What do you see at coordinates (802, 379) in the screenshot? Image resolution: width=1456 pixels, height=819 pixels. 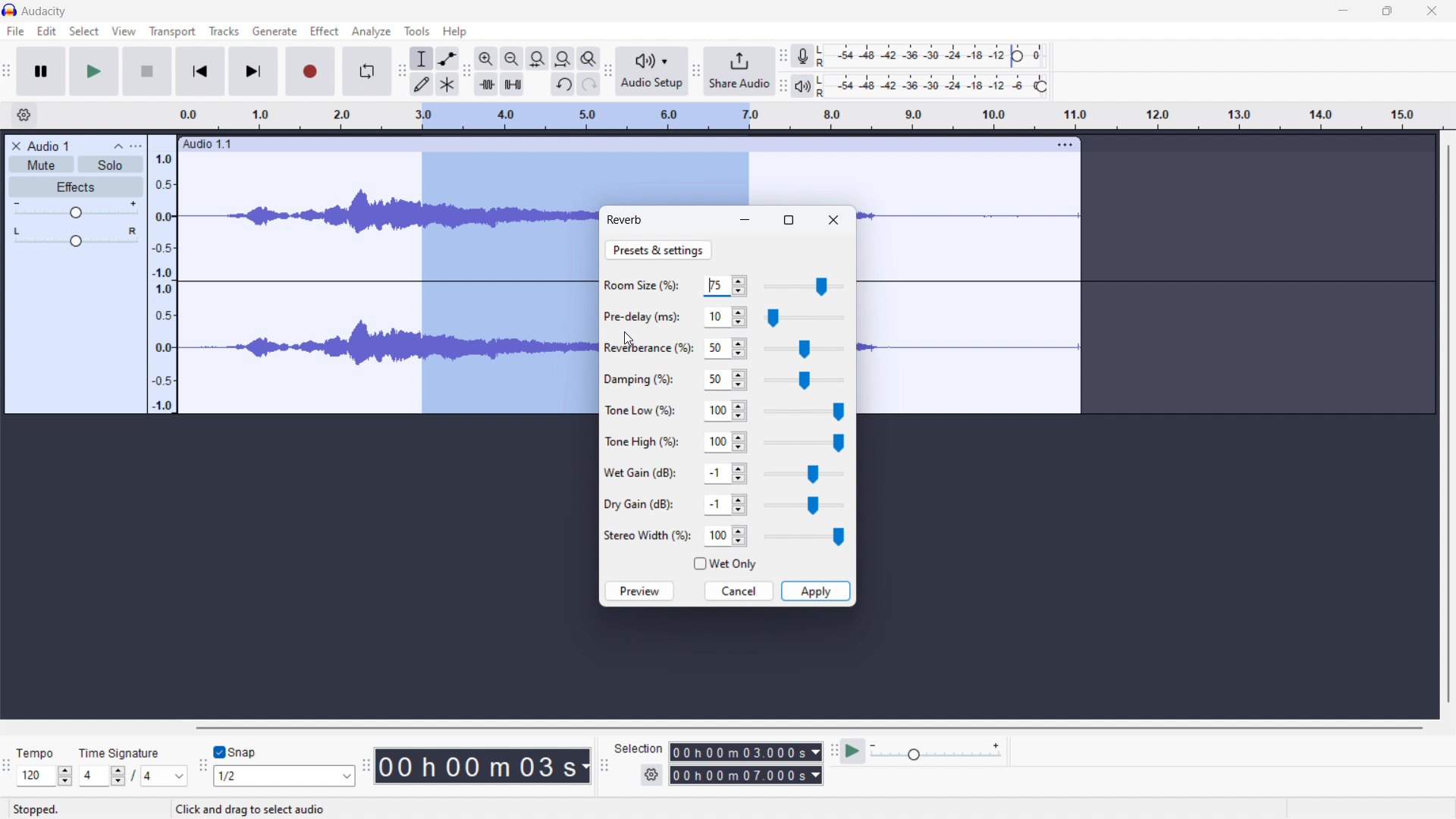 I see `damping slider` at bounding box center [802, 379].